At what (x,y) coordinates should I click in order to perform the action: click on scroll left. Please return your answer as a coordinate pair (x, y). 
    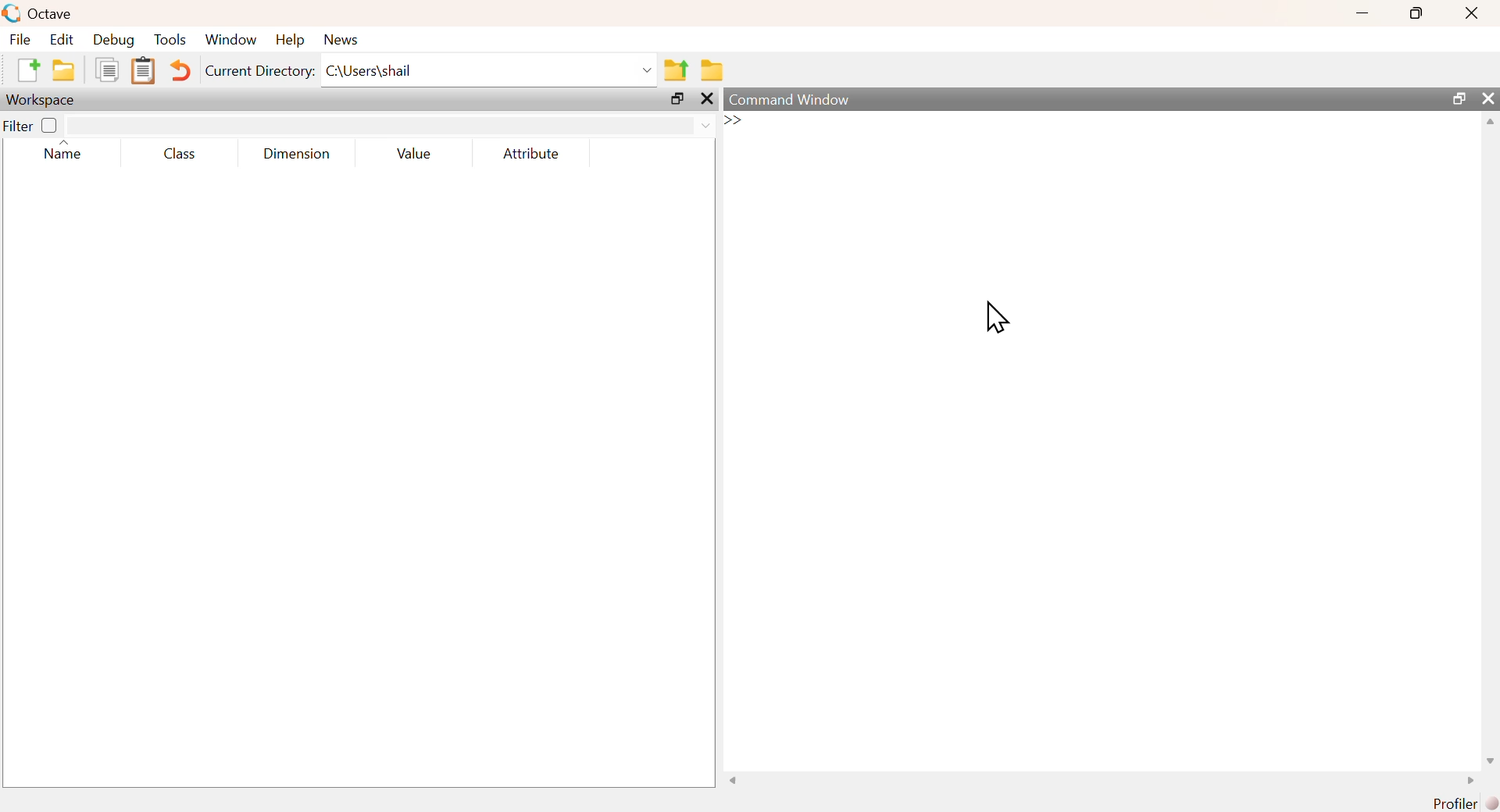
    Looking at the image, I should click on (736, 782).